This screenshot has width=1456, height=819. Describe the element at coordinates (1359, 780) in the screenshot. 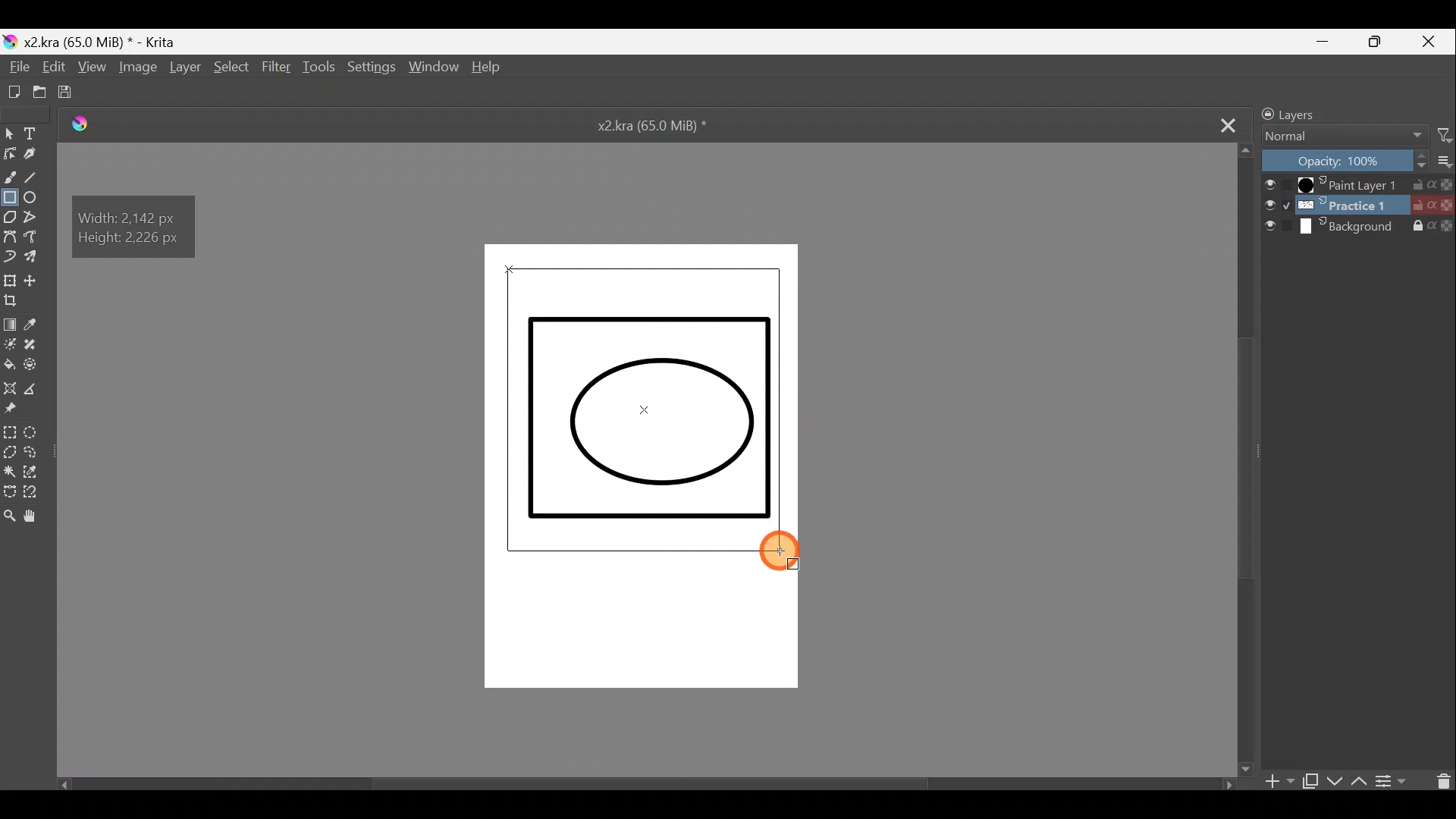

I see `Move layer/mask up` at that location.